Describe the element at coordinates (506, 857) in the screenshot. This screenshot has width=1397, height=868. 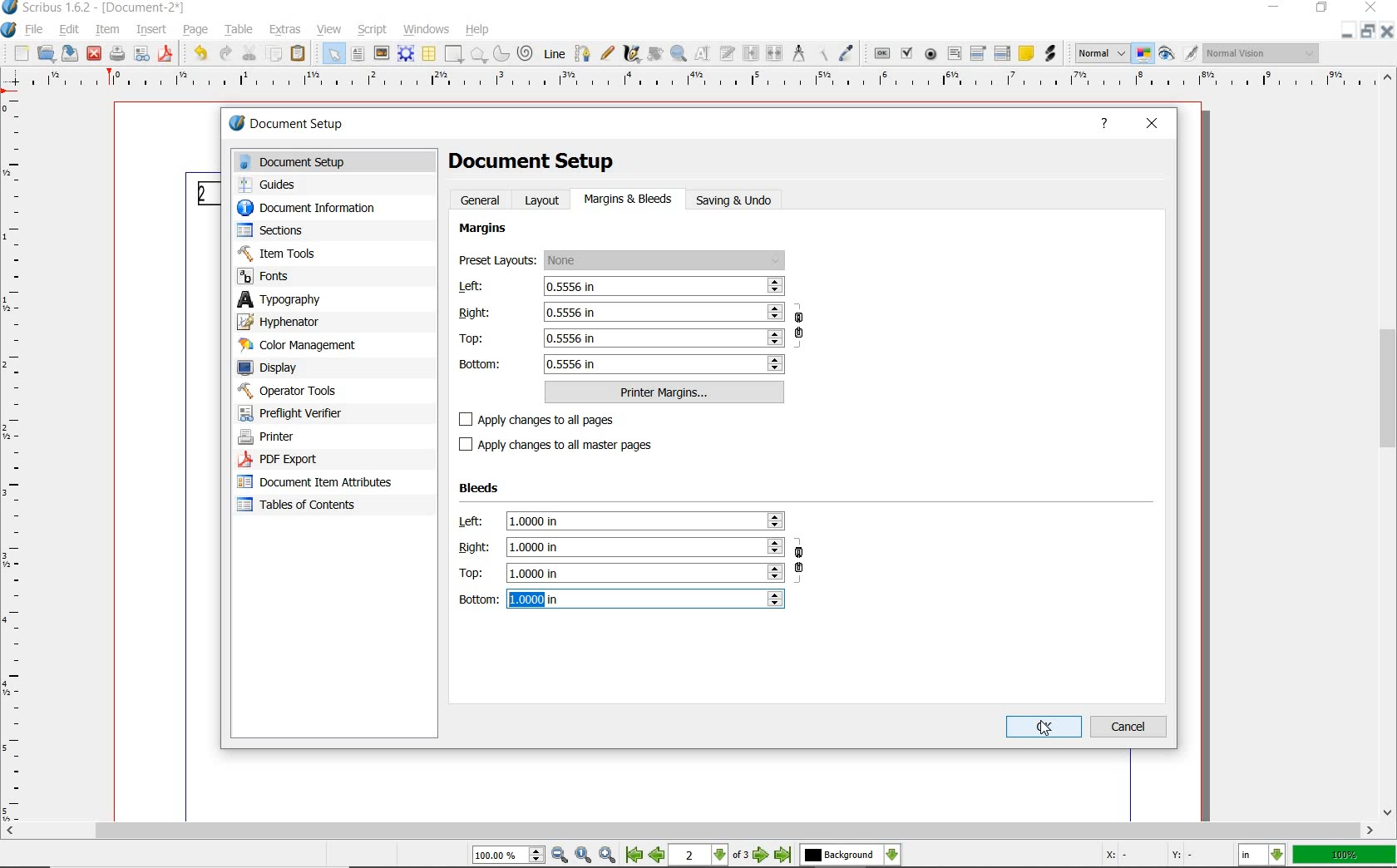
I see `Zoom 100.00%` at that location.